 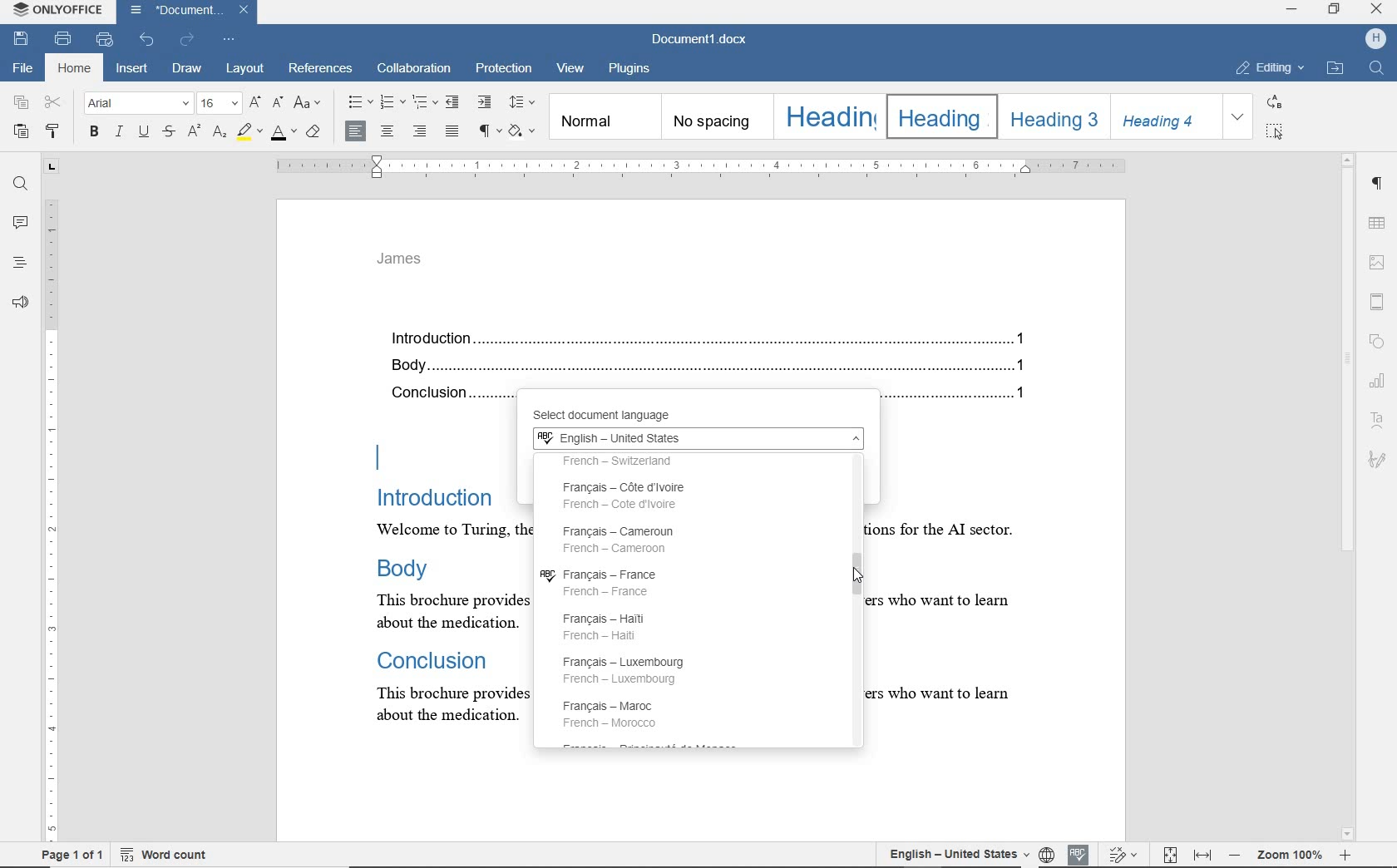 I want to click on ruler, so click(x=52, y=504).